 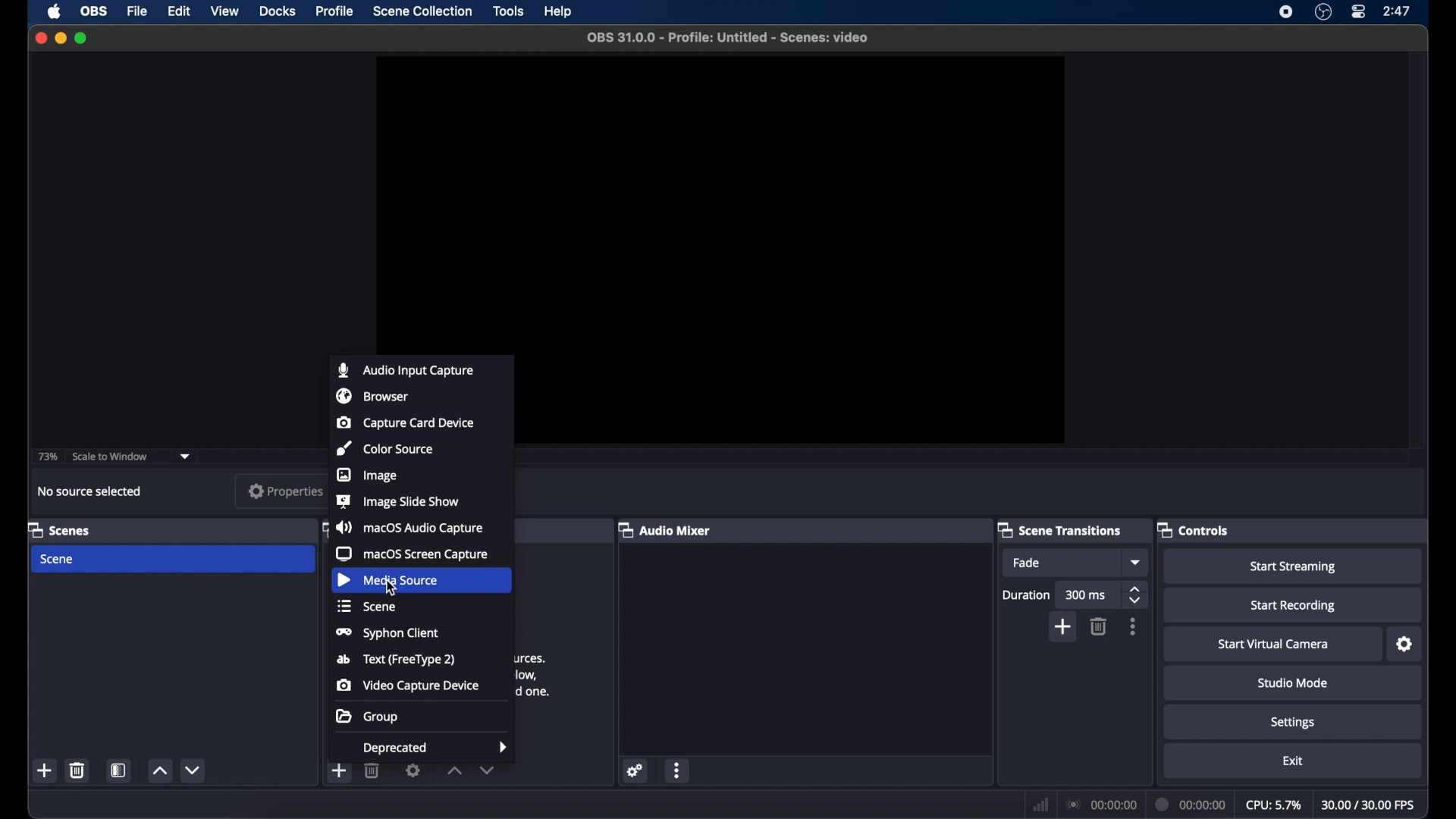 I want to click on network, so click(x=1040, y=805).